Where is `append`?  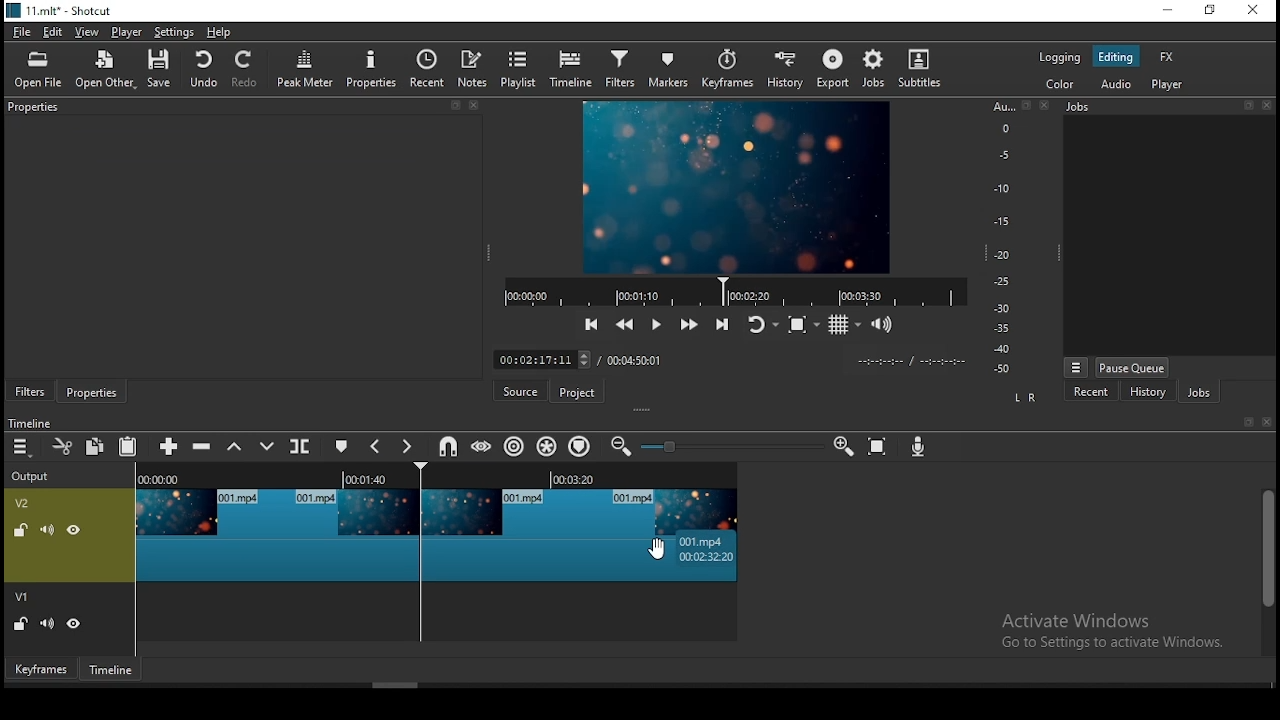
append is located at coordinates (171, 448).